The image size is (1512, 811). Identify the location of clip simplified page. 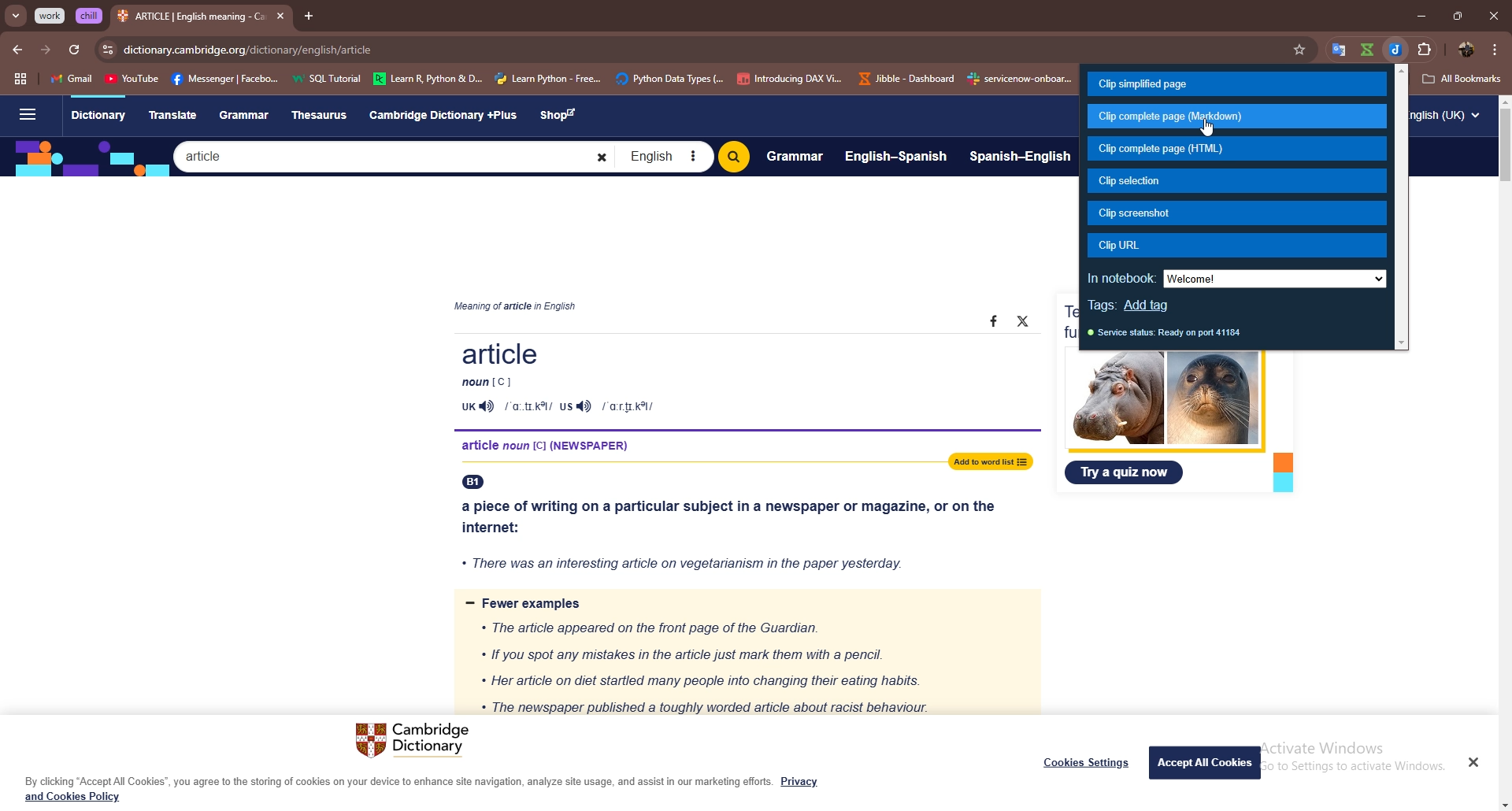
(1236, 83).